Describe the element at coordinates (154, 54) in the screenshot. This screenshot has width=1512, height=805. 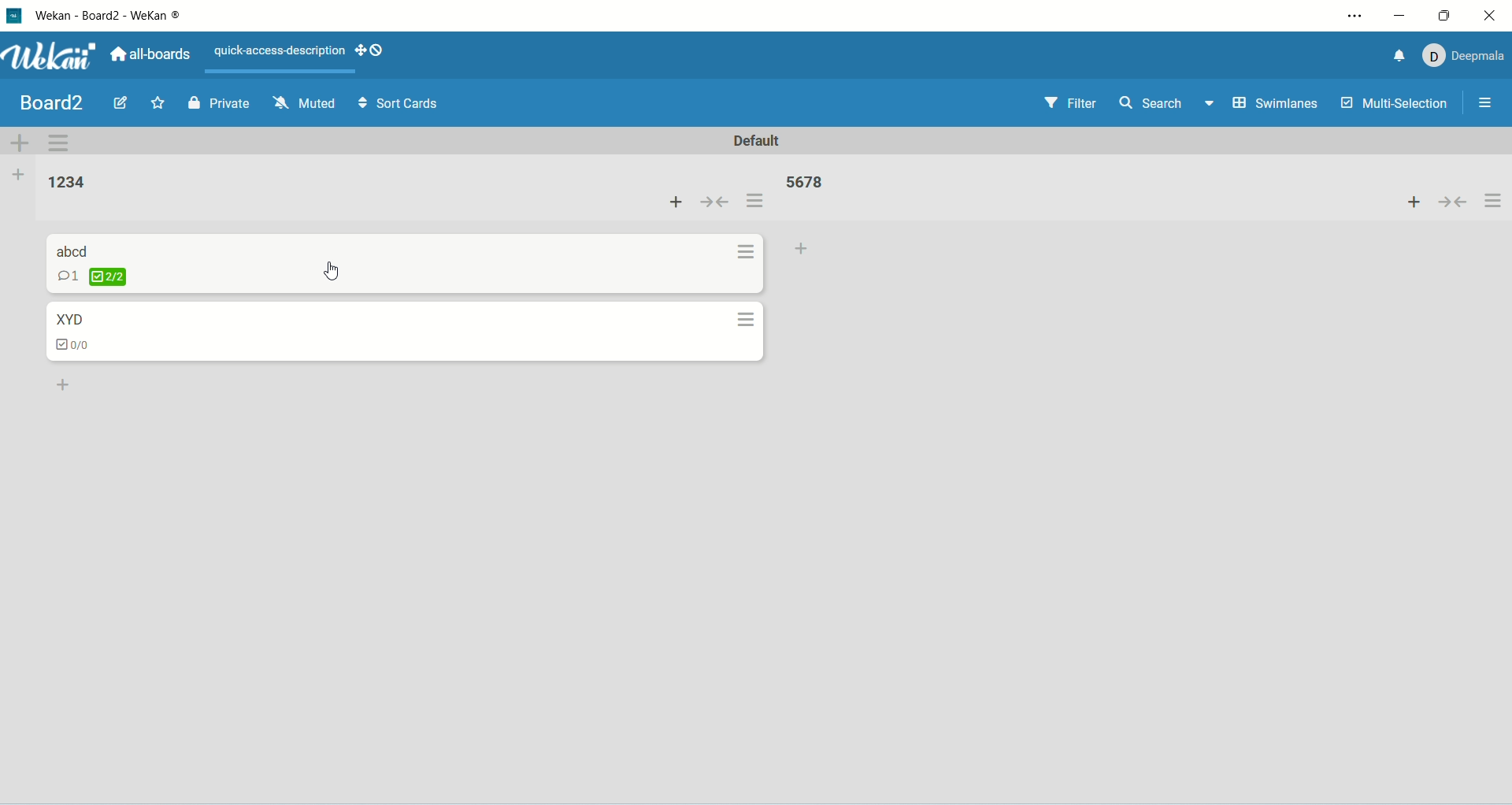
I see `all boards` at that location.